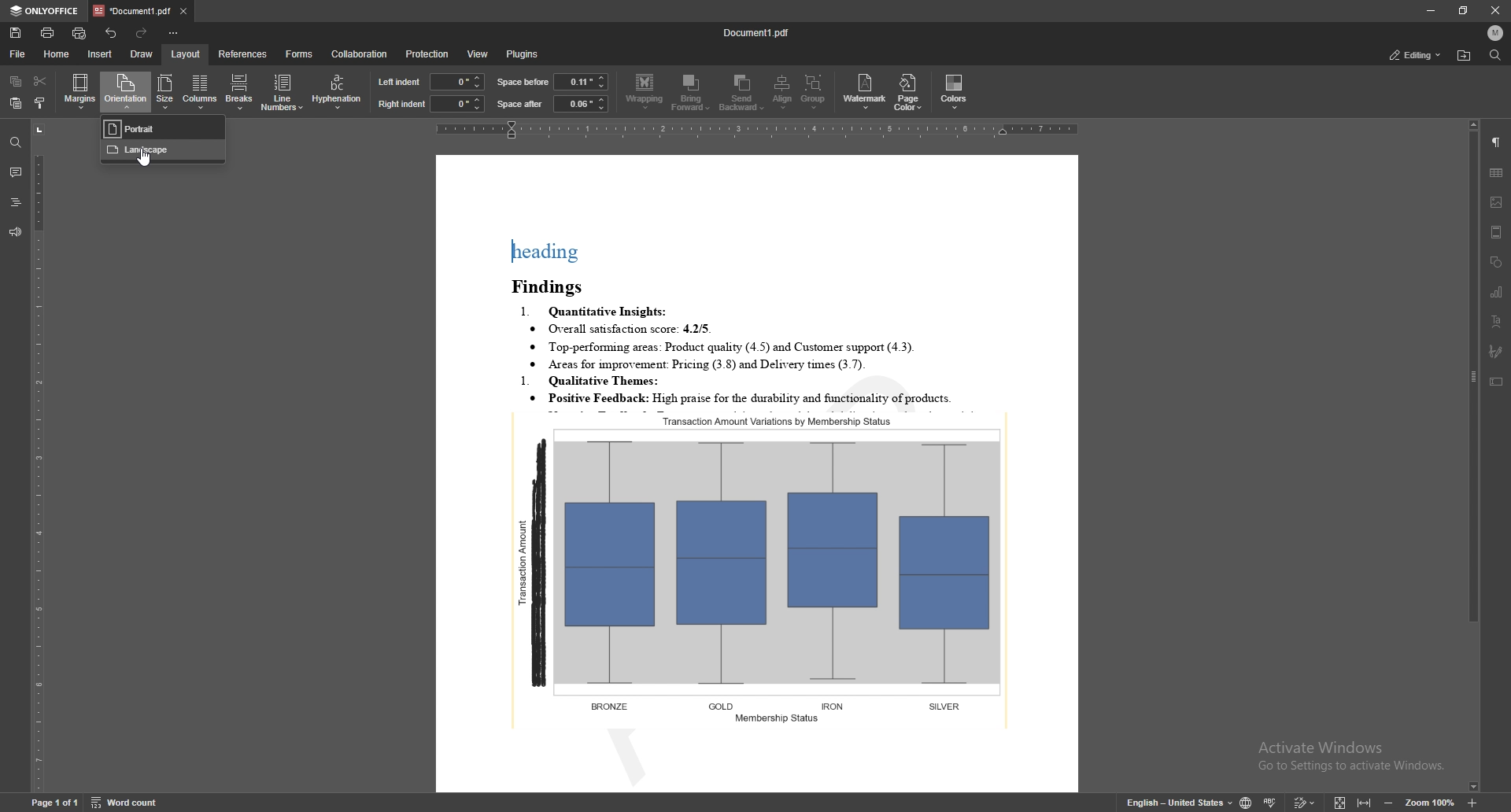  What do you see at coordinates (299, 54) in the screenshot?
I see `forms` at bounding box center [299, 54].